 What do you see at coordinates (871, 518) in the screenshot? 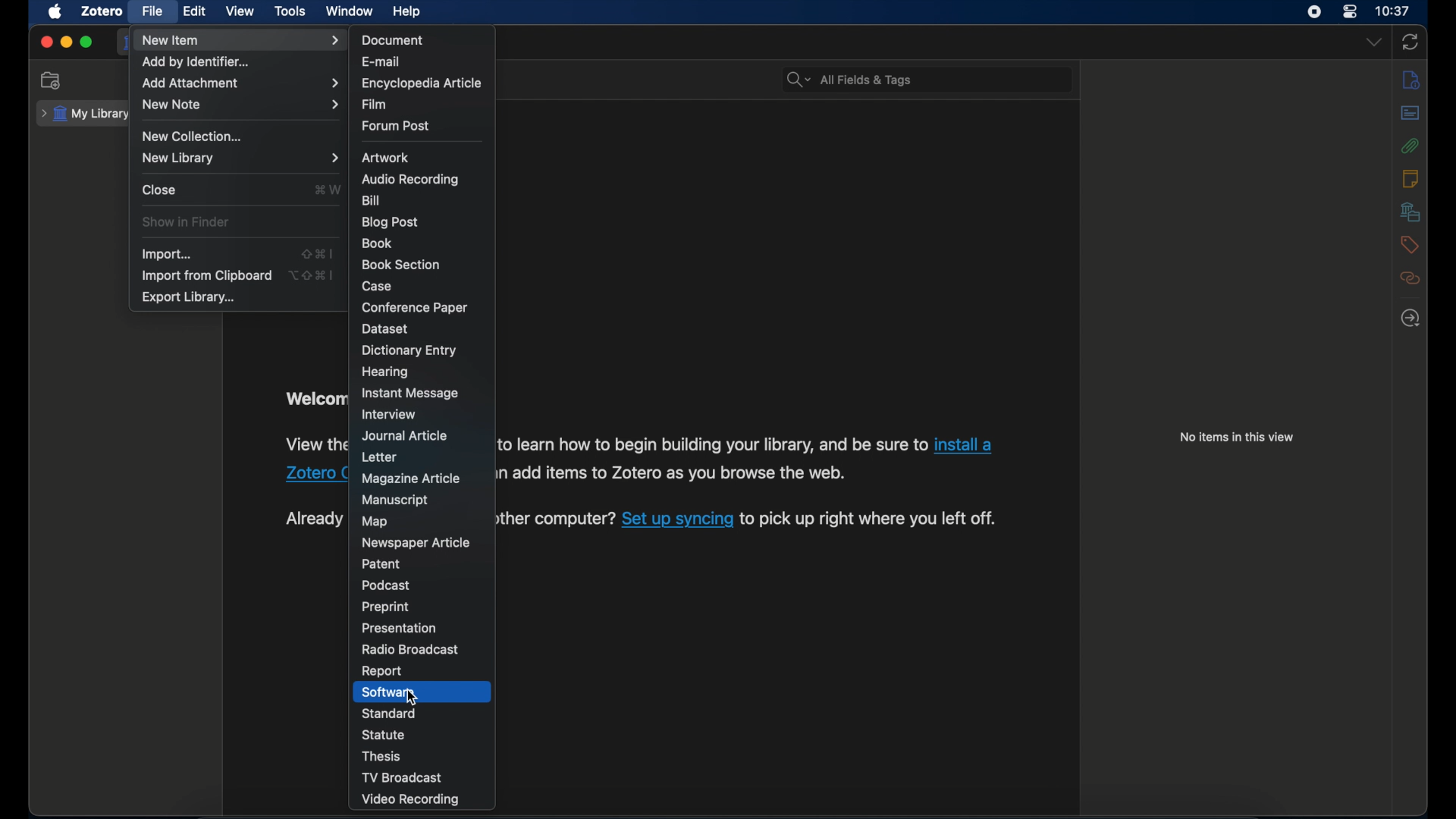
I see `software information` at bounding box center [871, 518].